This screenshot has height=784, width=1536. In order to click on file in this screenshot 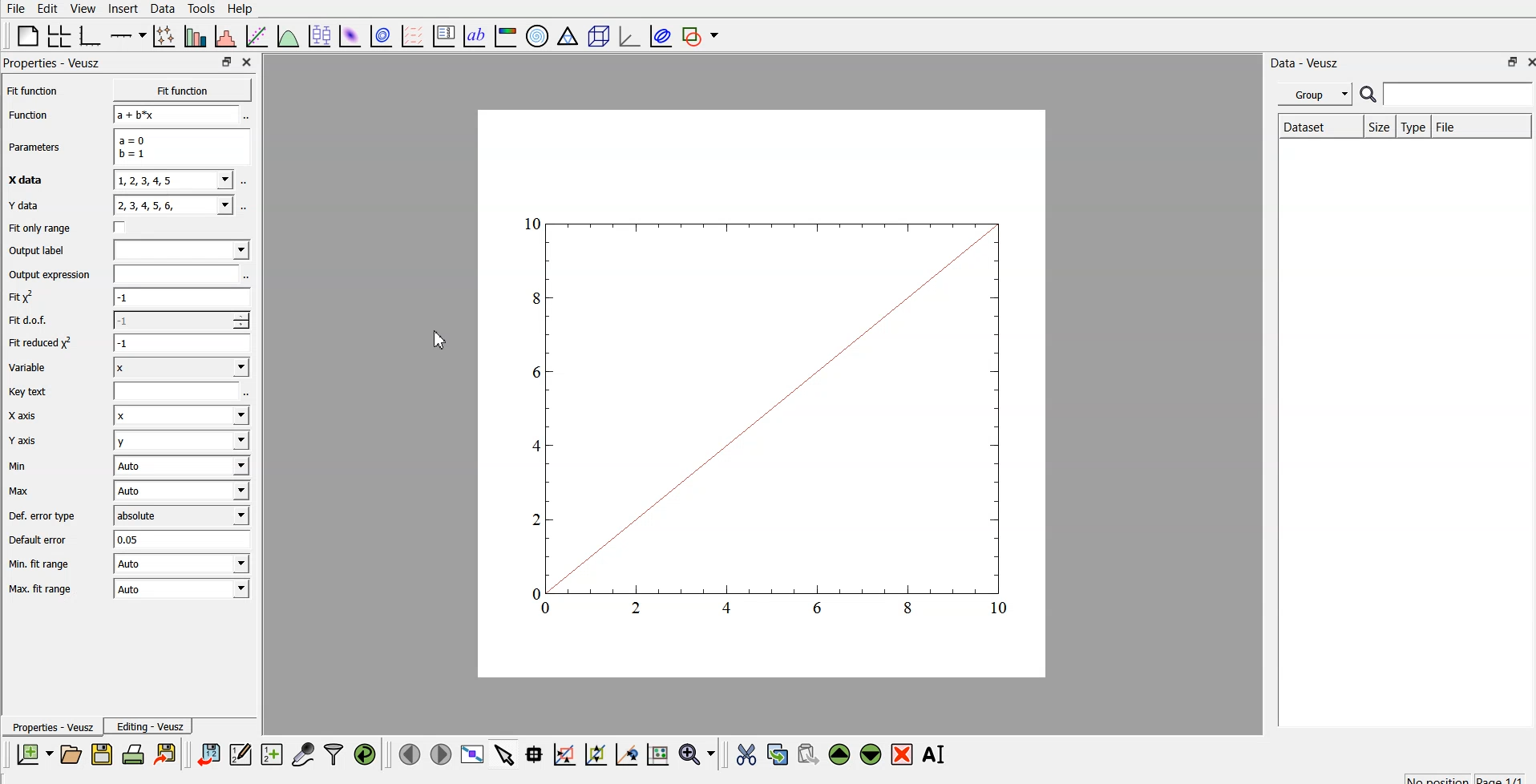, I will do `click(1478, 126)`.